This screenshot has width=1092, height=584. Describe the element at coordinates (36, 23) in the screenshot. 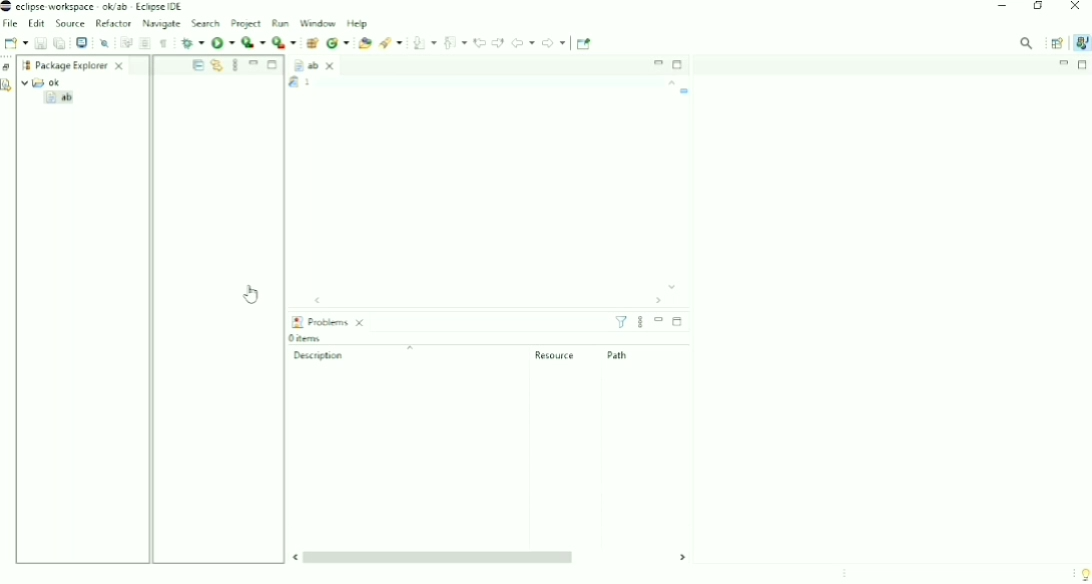

I see `Edit` at that location.